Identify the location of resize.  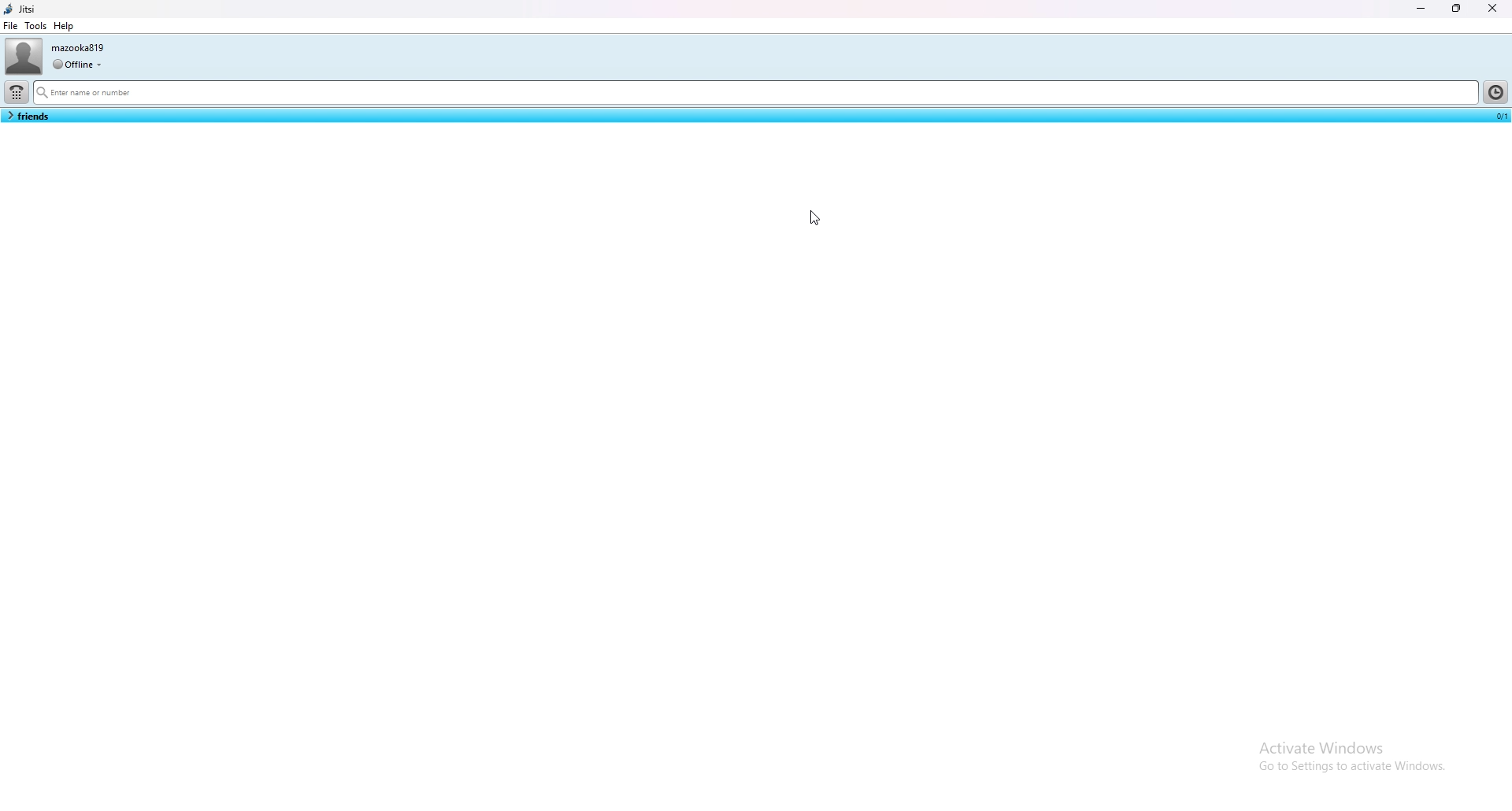
(1458, 9).